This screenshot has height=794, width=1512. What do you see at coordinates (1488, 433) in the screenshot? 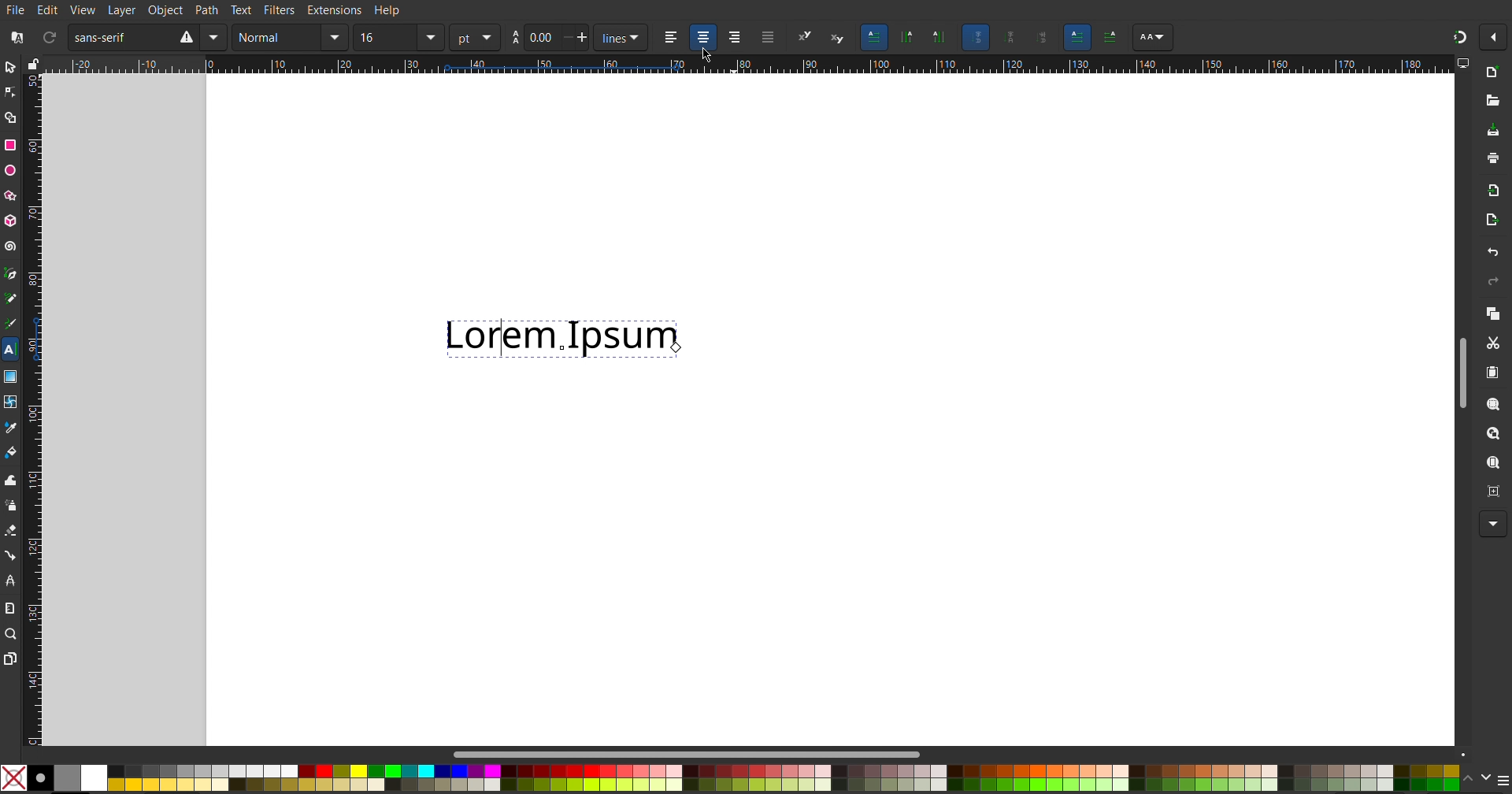
I see `Zoom Drawing` at bounding box center [1488, 433].